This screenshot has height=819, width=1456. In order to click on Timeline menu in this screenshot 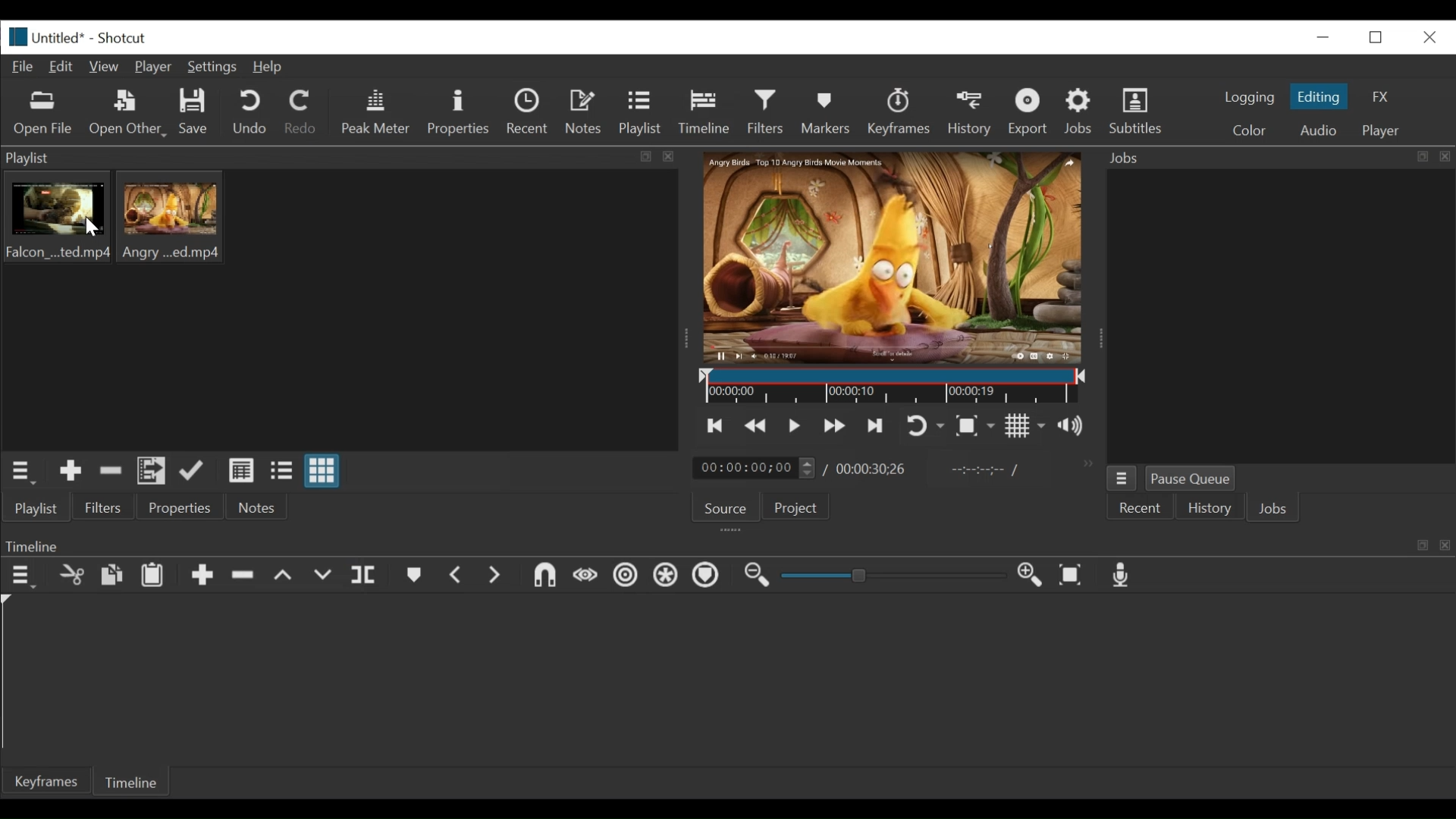, I will do `click(25, 576)`.